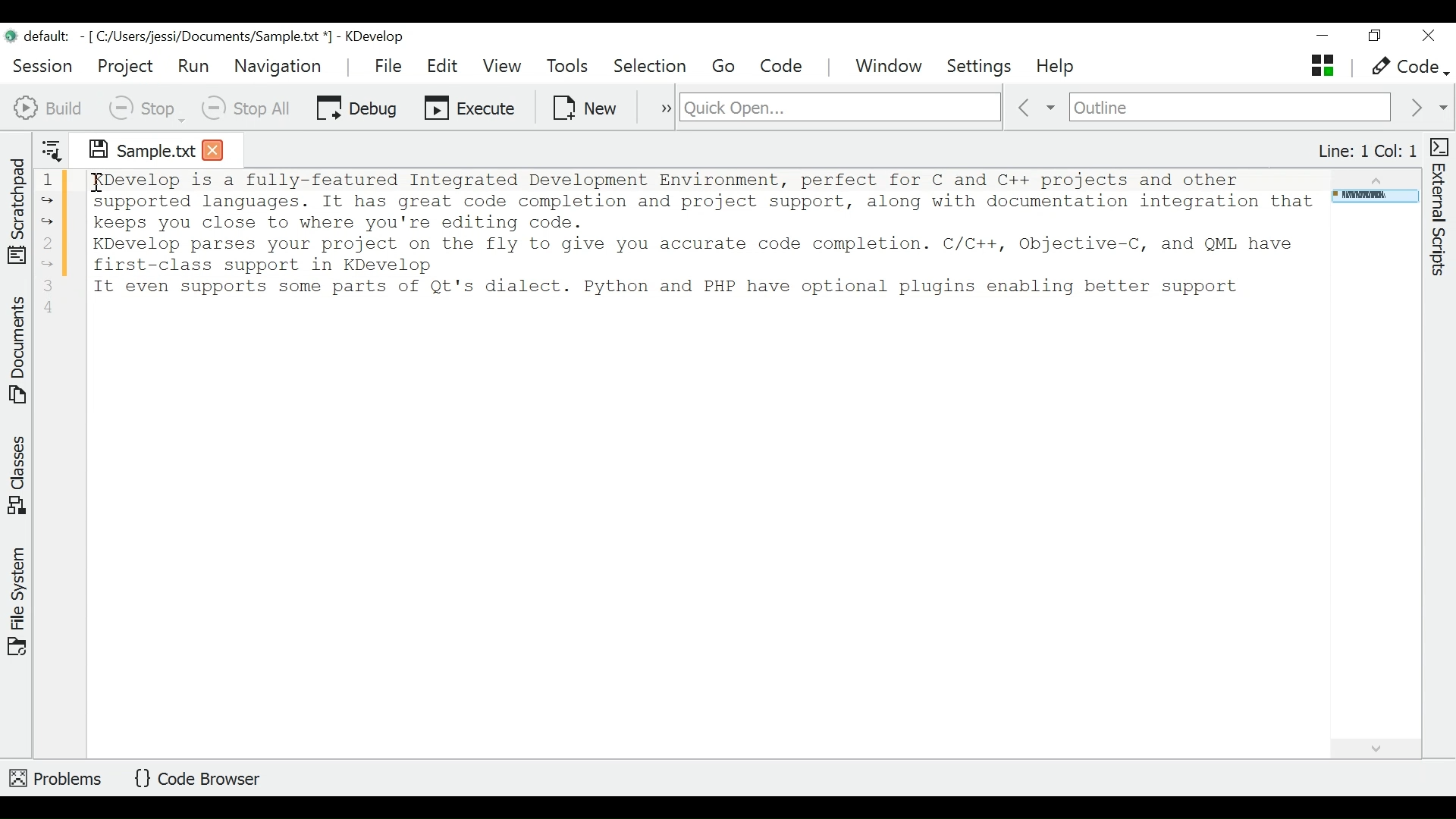 The width and height of the screenshot is (1456, 819). I want to click on Session, so click(43, 64).